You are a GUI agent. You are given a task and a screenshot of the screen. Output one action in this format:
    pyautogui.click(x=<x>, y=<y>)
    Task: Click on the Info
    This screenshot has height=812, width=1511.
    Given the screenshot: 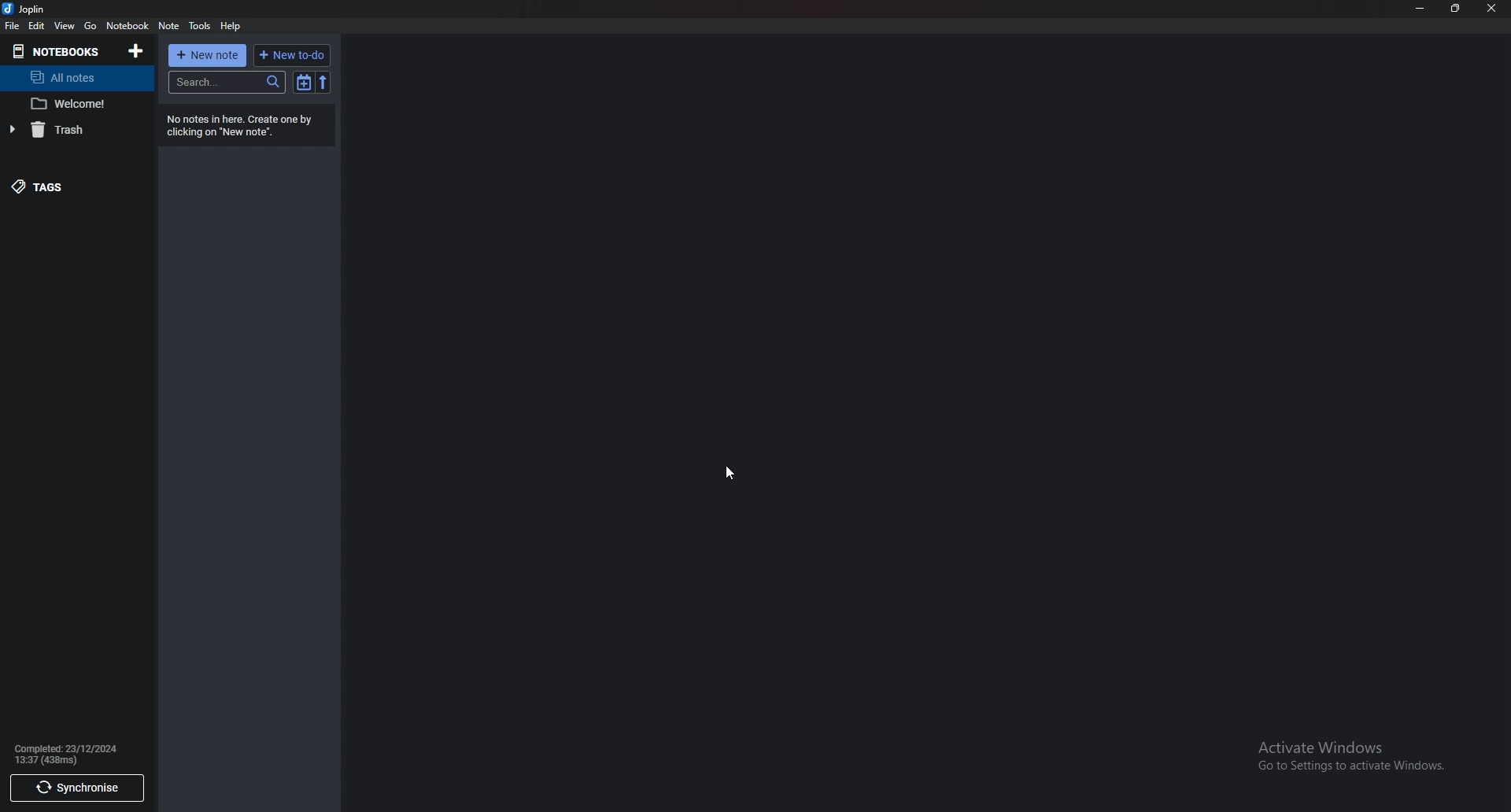 What is the action you would take?
    pyautogui.click(x=252, y=126)
    